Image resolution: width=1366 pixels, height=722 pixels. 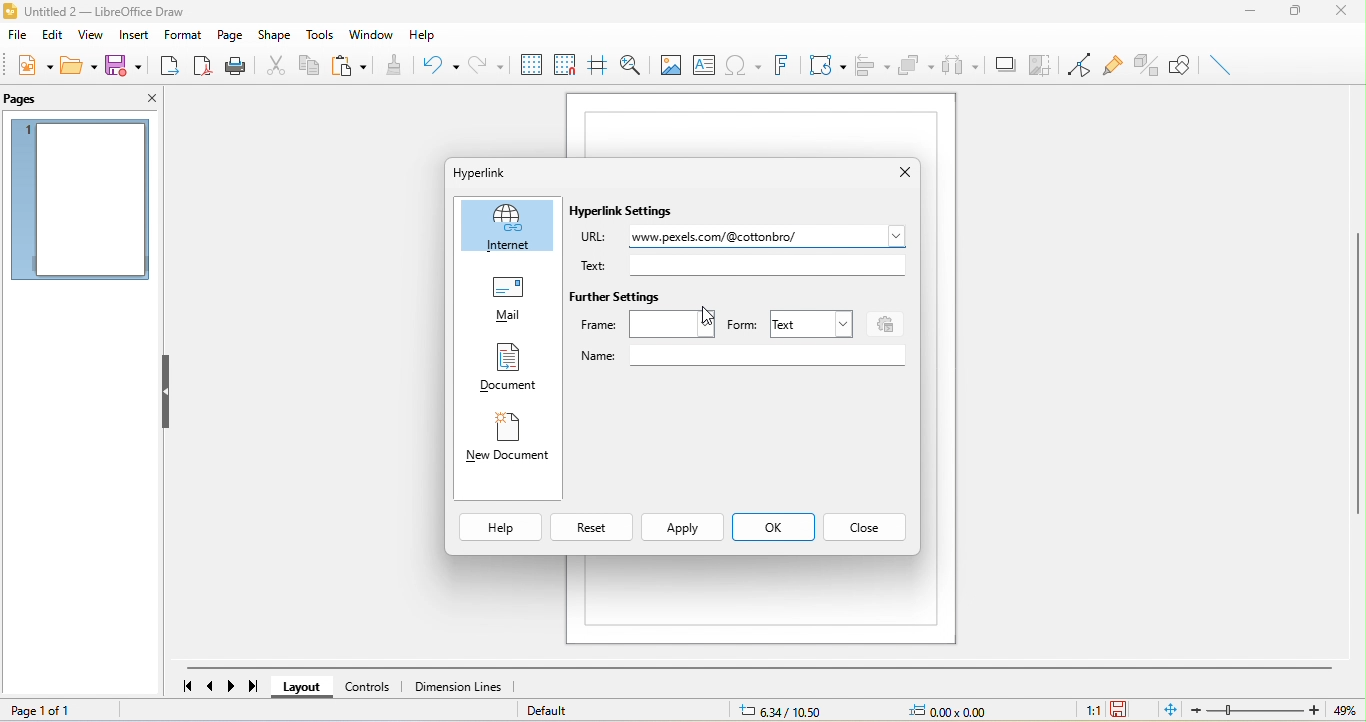 What do you see at coordinates (1143, 65) in the screenshot?
I see `toggle extrusion` at bounding box center [1143, 65].